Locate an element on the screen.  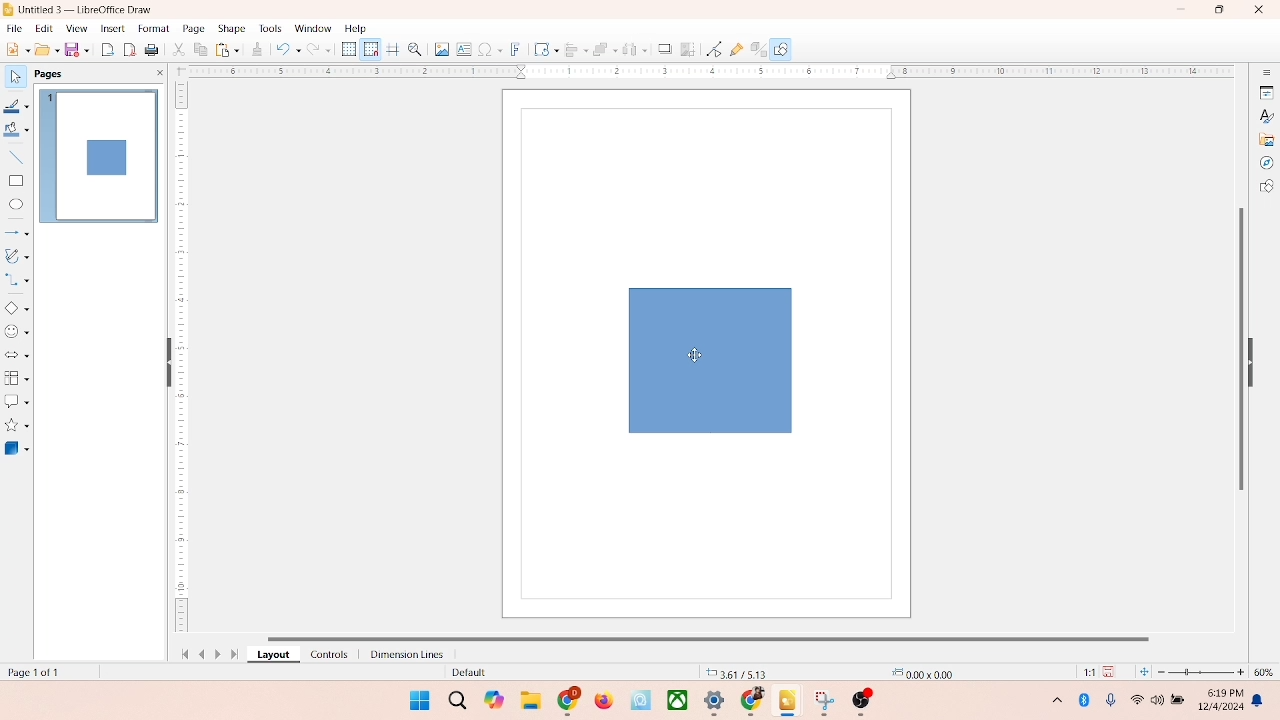
layout is located at coordinates (272, 655).